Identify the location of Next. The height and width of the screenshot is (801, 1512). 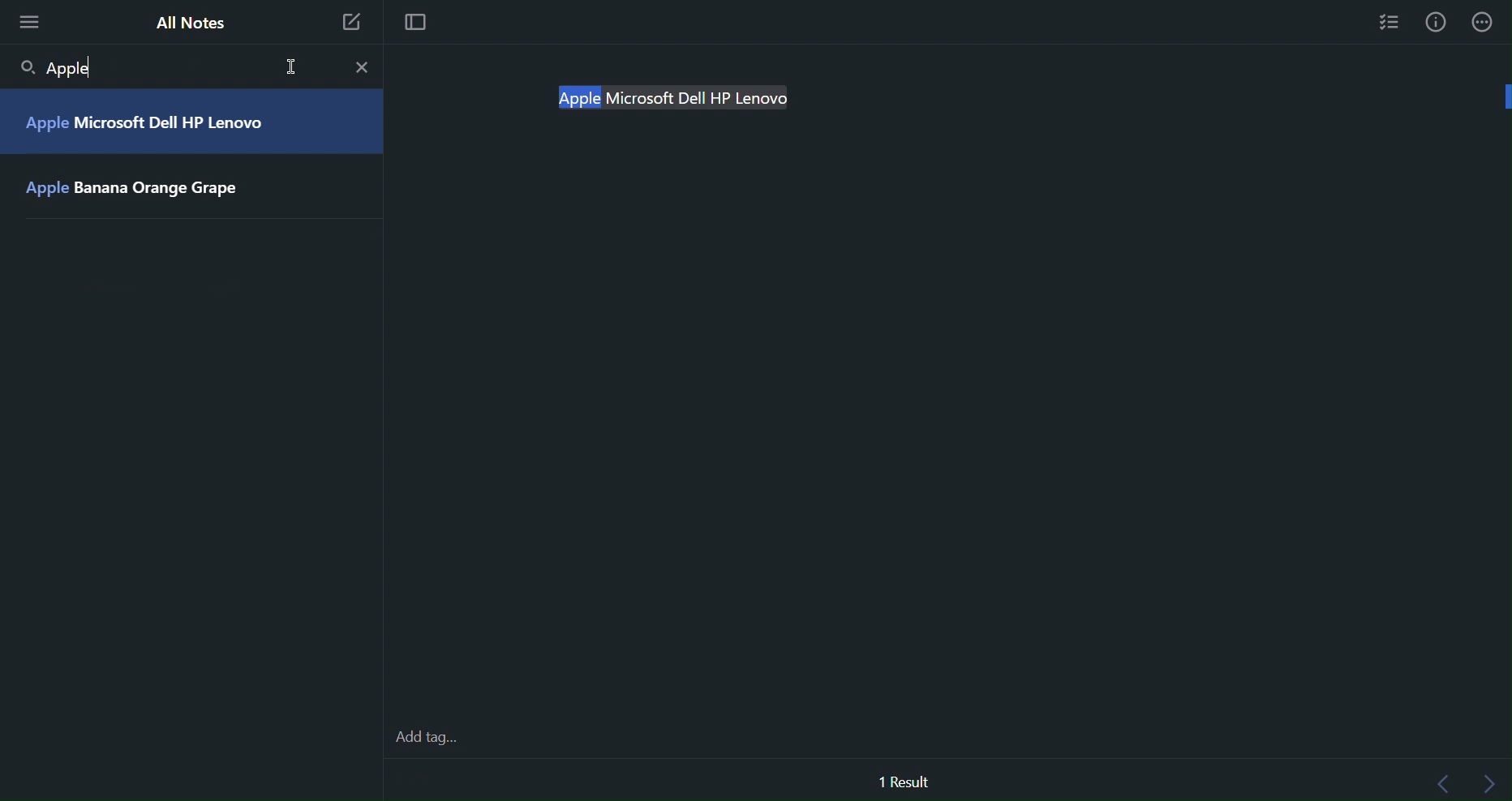
(1491, 782).